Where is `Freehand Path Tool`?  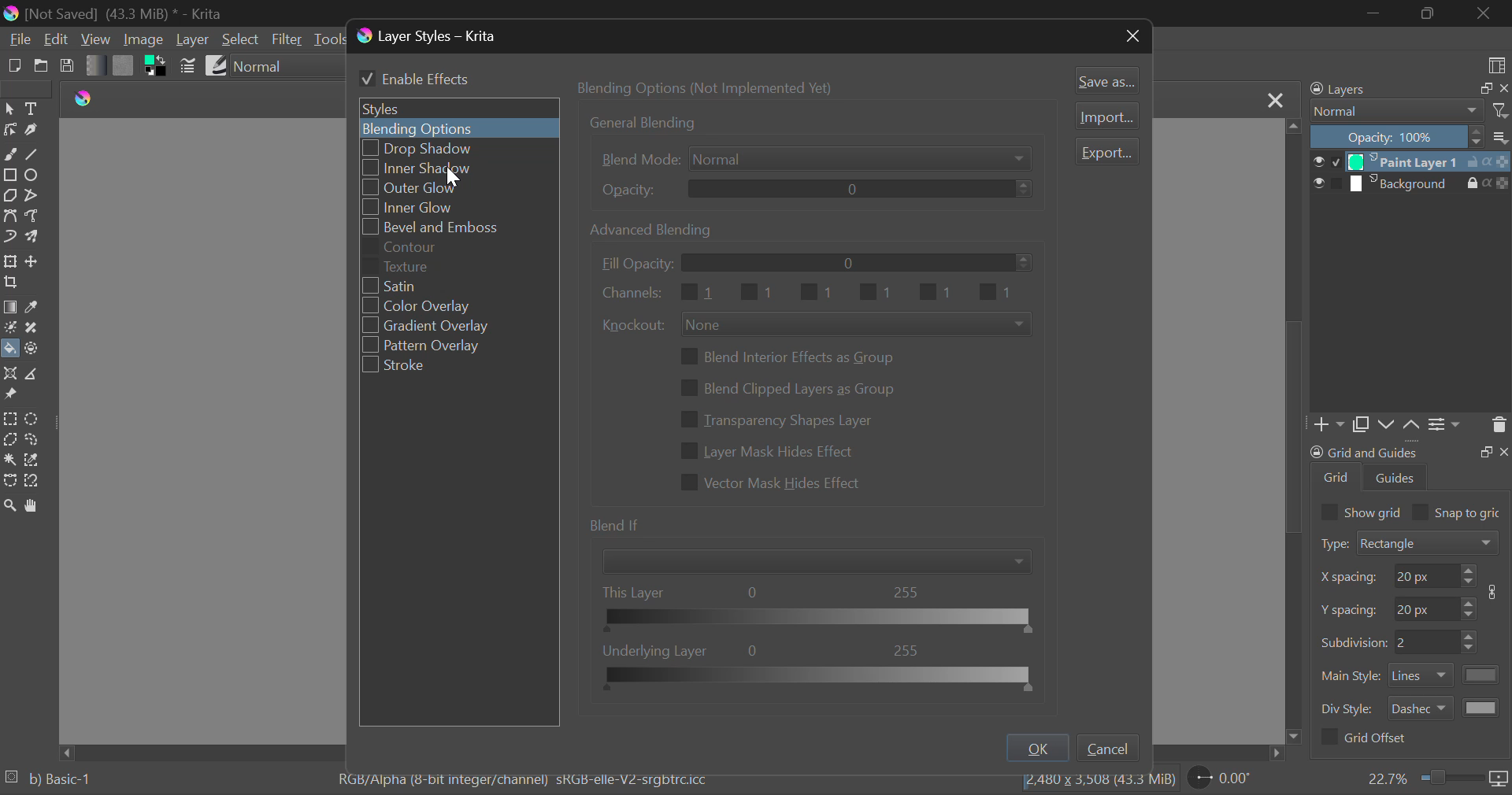 Freehand Path Tool is located at coordinates (33, 215).